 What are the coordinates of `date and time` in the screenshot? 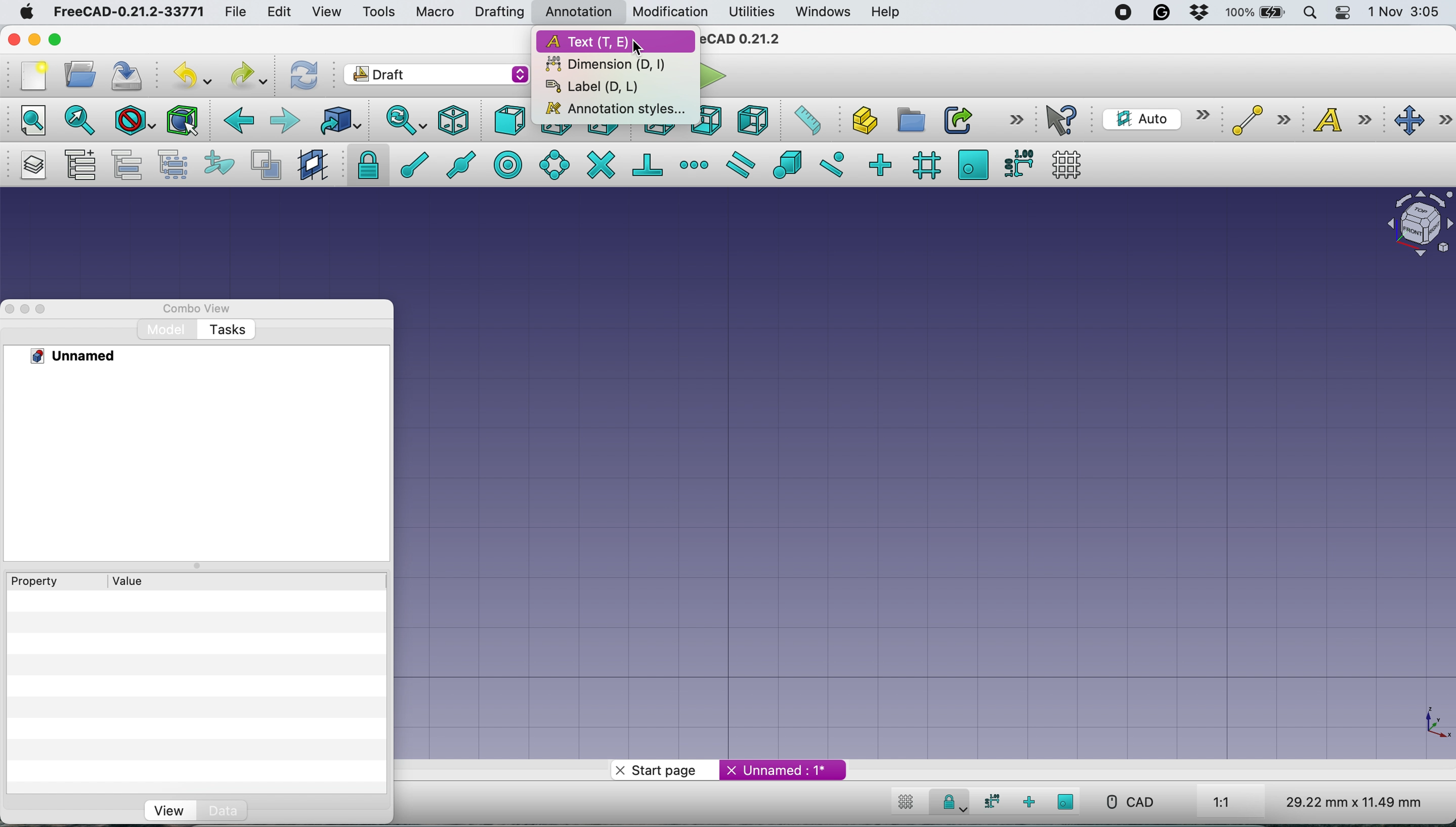 It's located at (1408, 11).